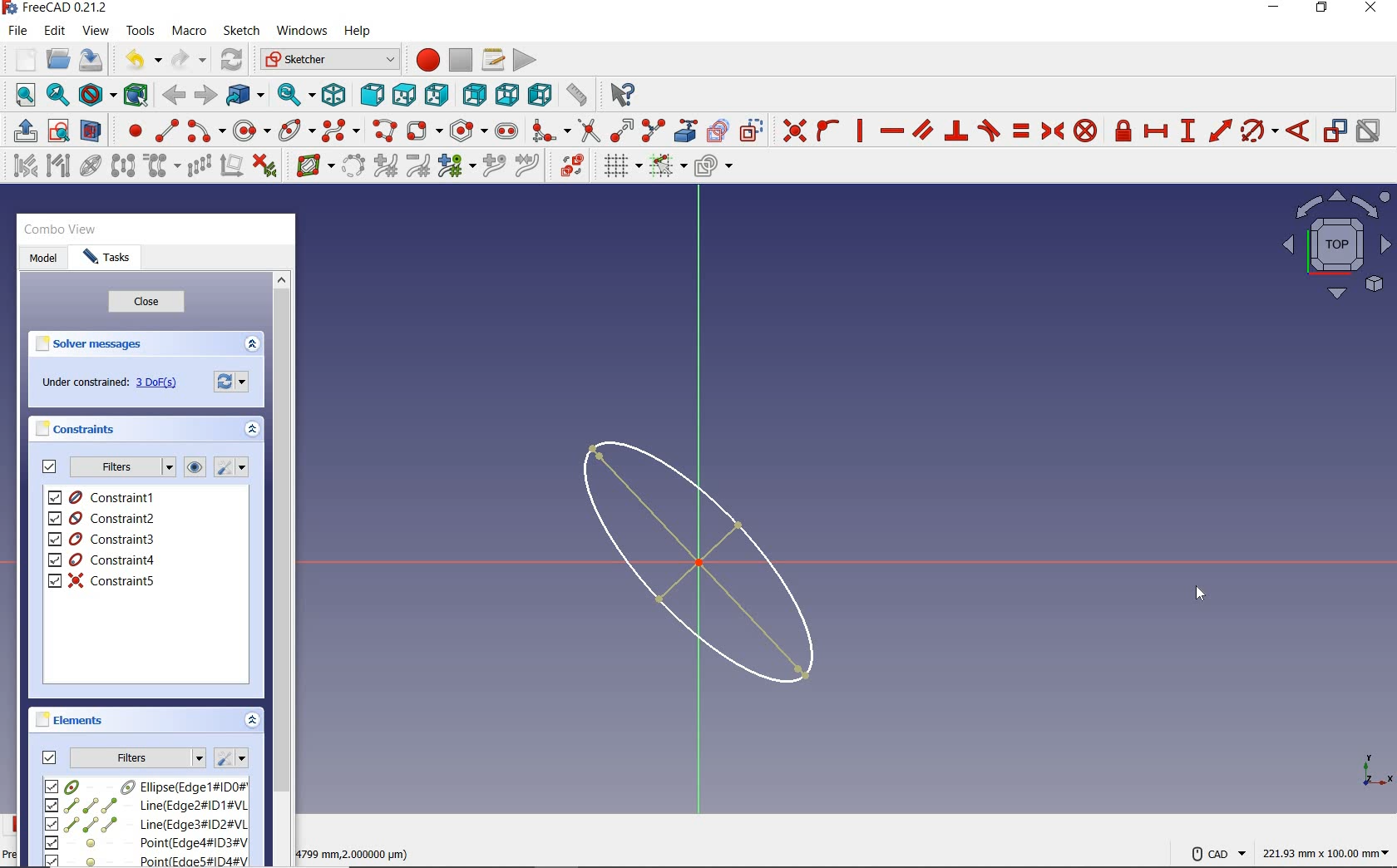  I want to click on activate/deactivate constraint, so click(1369, 131).